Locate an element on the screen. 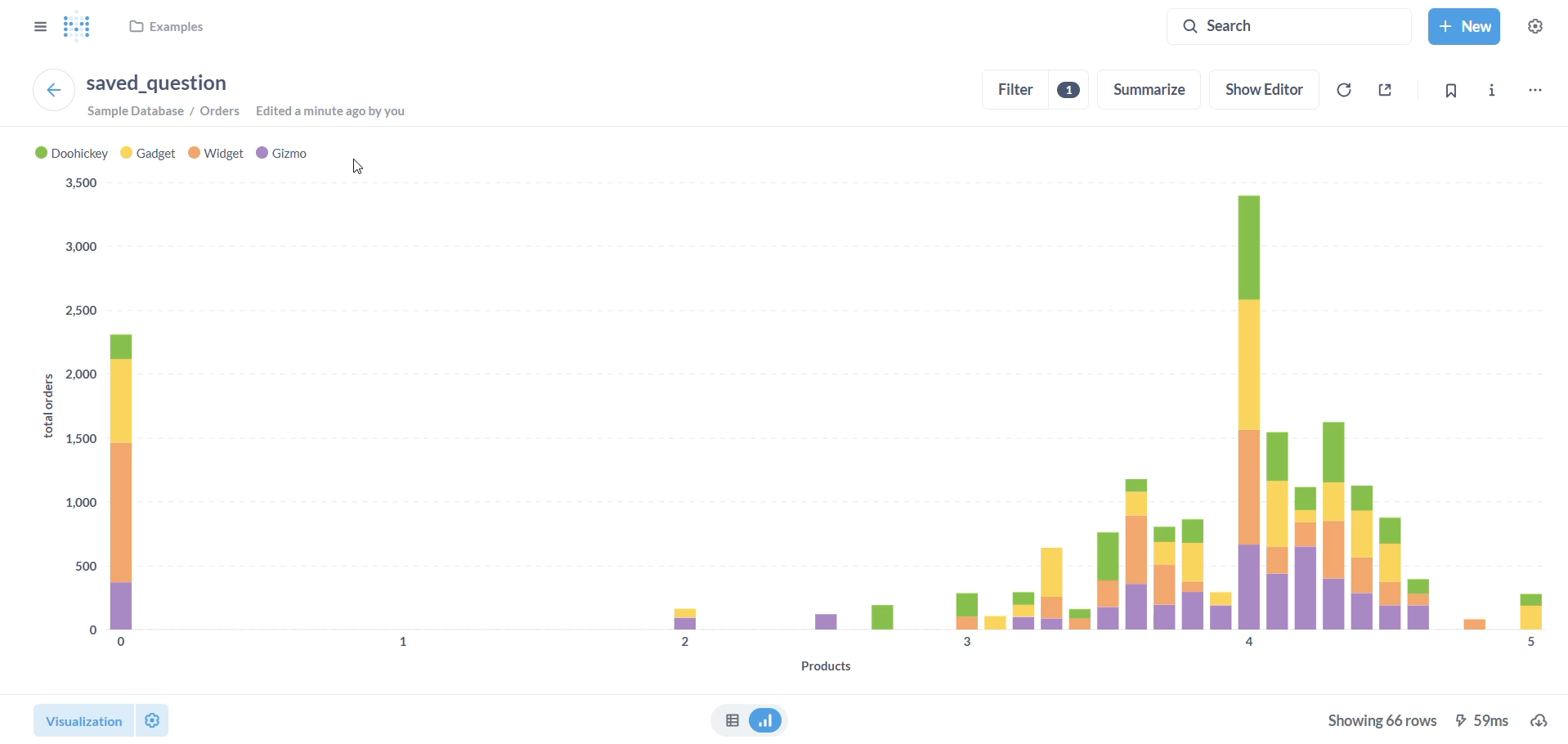  filter is located at coordinates (1033, 92).